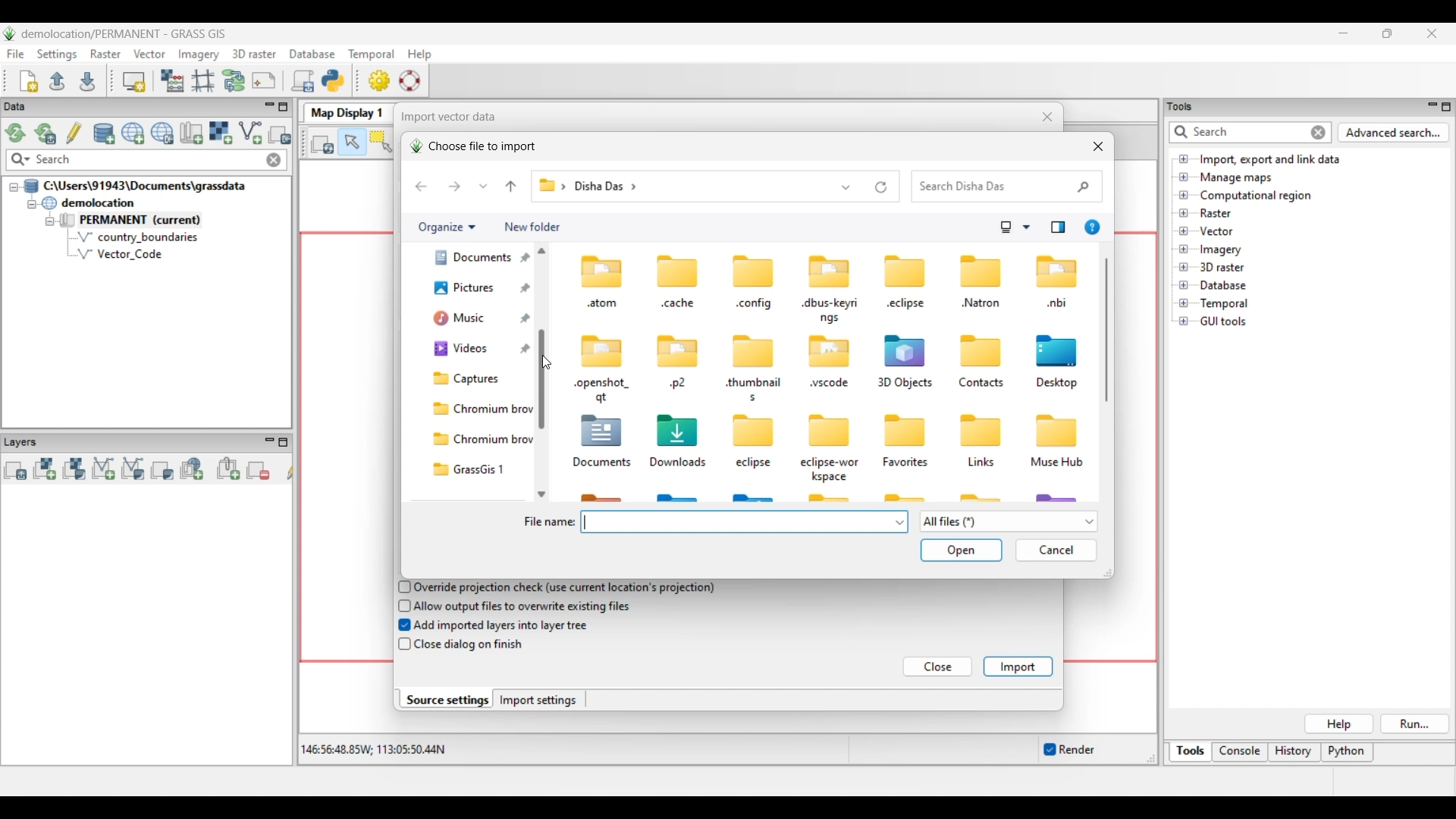 The image size is (1456, 819). I want to click on Add various vector map layers, so click(133, 469).